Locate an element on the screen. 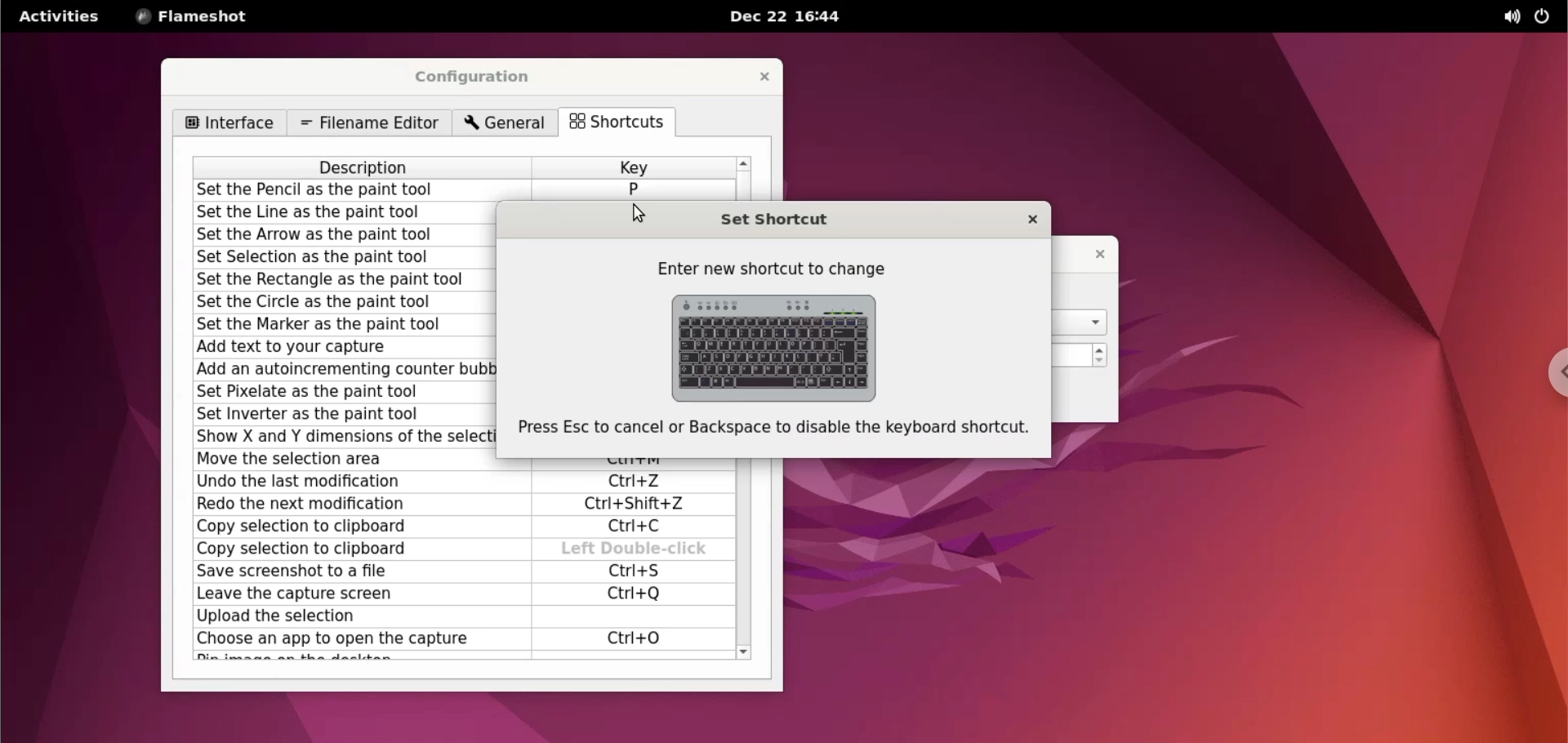  P is located at coordinates (633, 189).